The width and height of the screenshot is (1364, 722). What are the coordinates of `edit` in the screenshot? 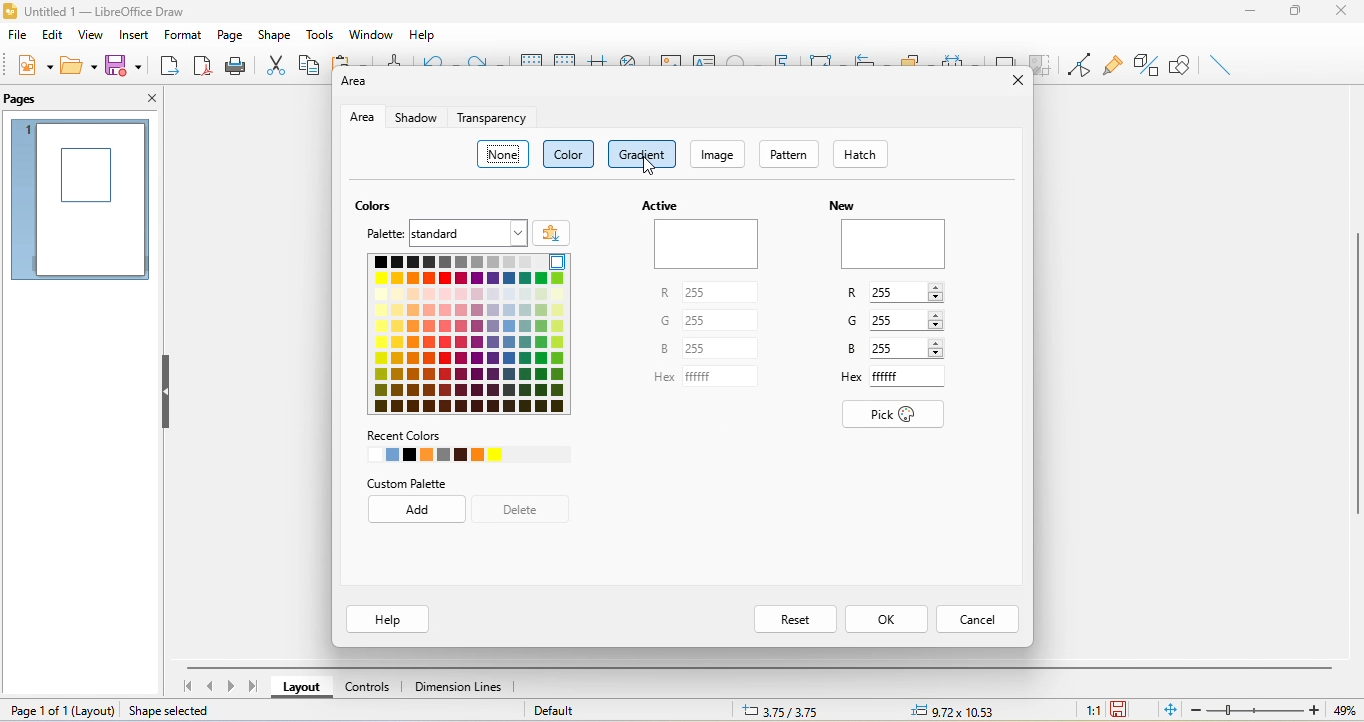 It's located at (52, 36).